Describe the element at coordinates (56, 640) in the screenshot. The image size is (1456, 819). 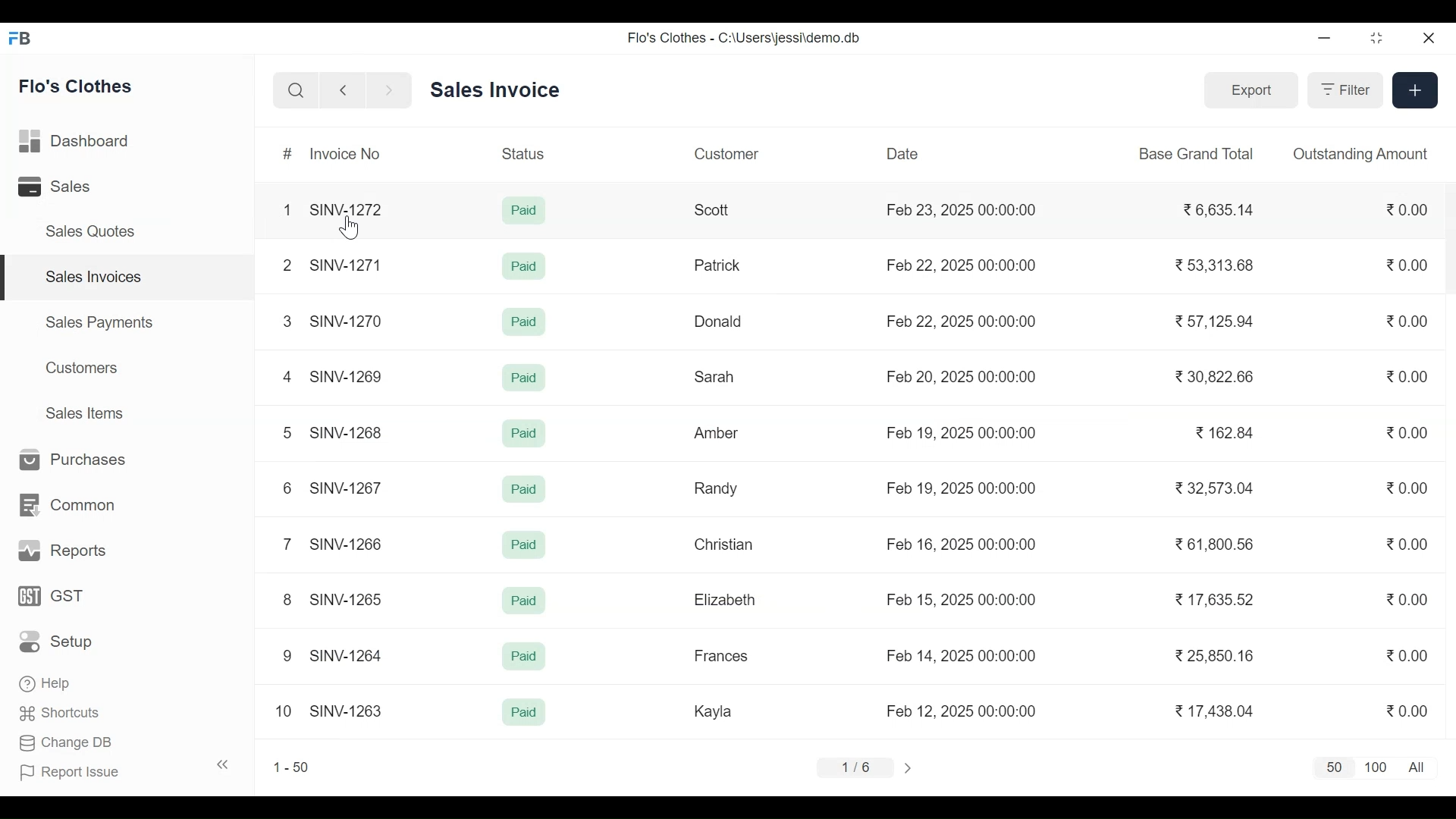
I see `Setup` at that location.